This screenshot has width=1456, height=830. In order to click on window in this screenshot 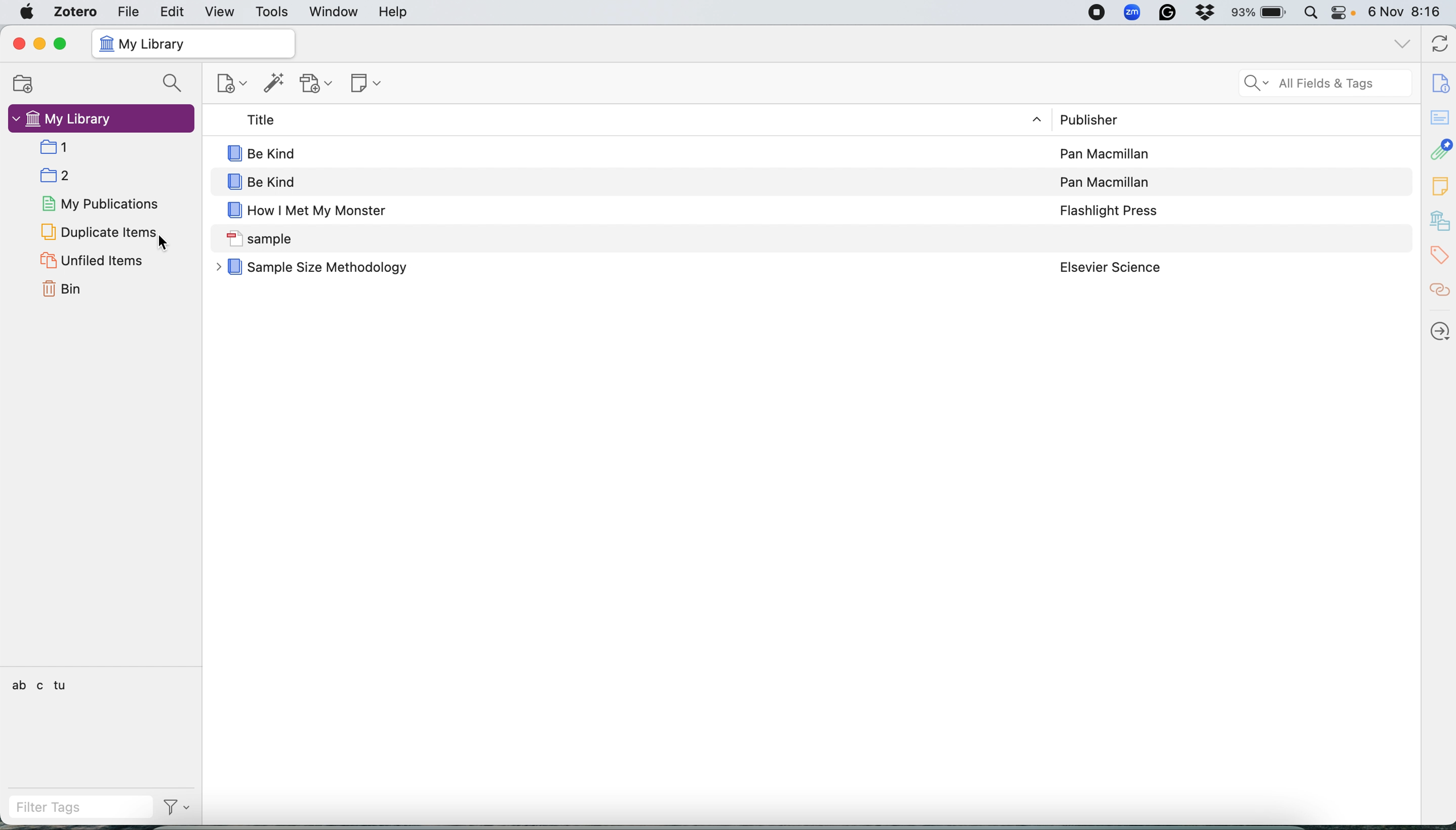, I will do `click(334, 11)`.